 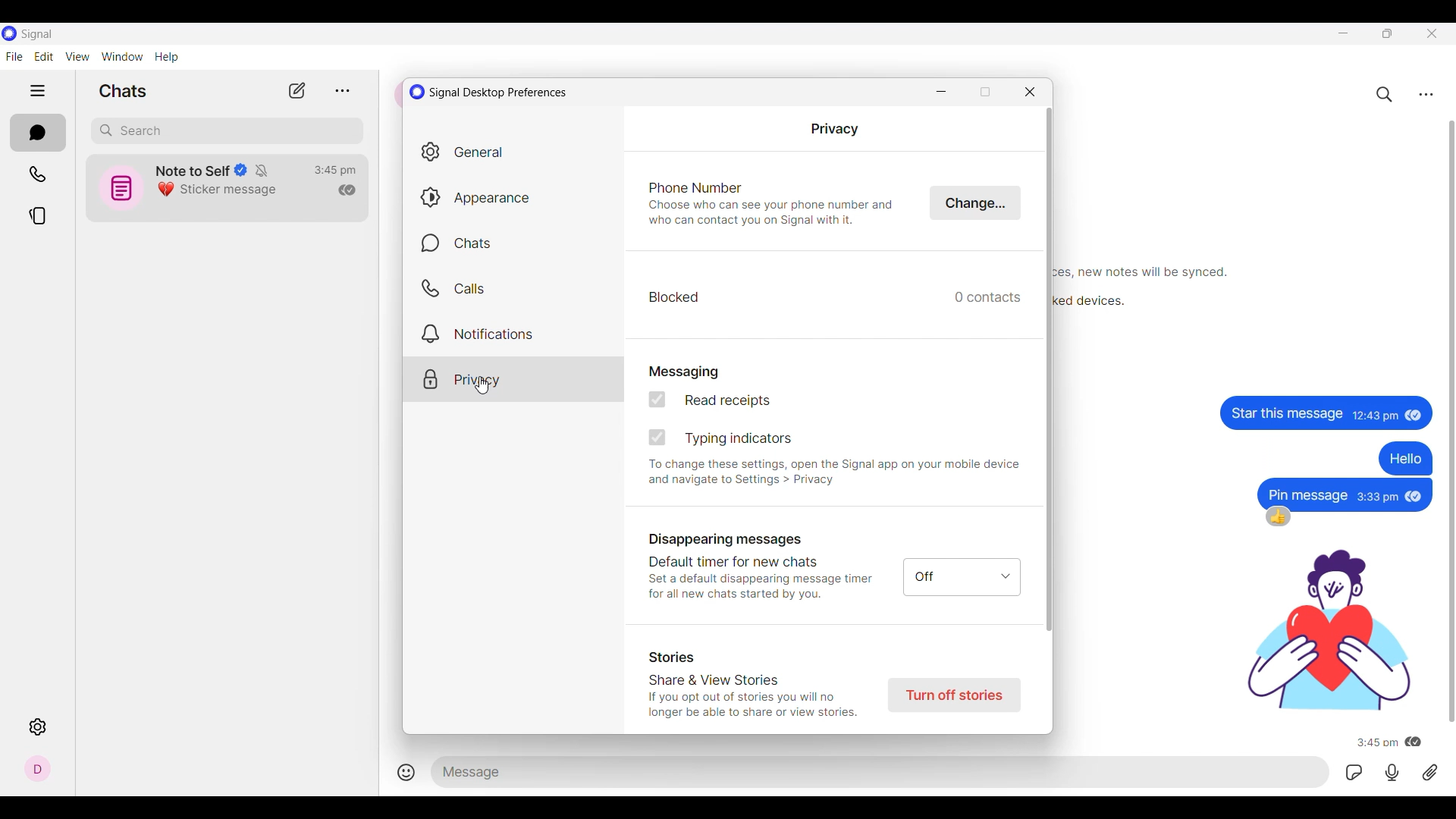 I want to click on Disappearing messages

Default timer for new chats

Set a default disappearing message timer
for all new chats started by you., so click(x=758, y=564).